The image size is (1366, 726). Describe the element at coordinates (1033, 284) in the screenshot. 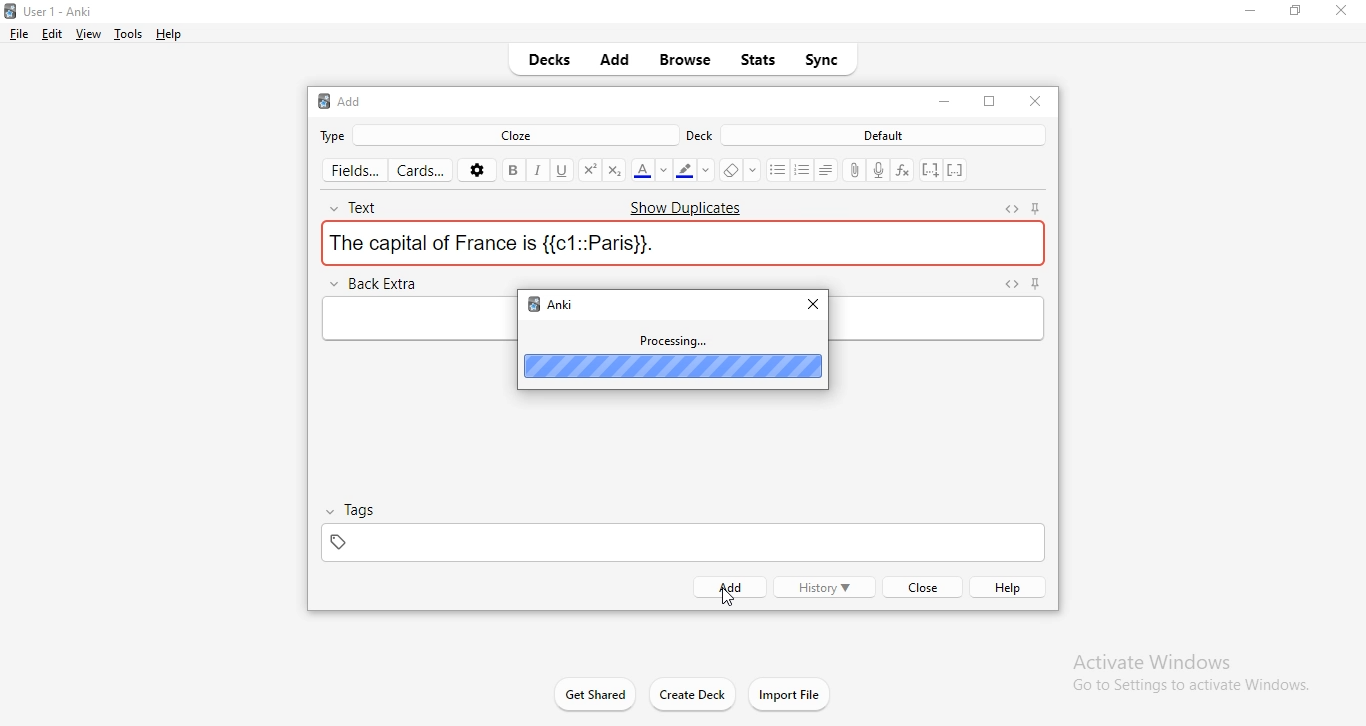

I see `pin` at that location.